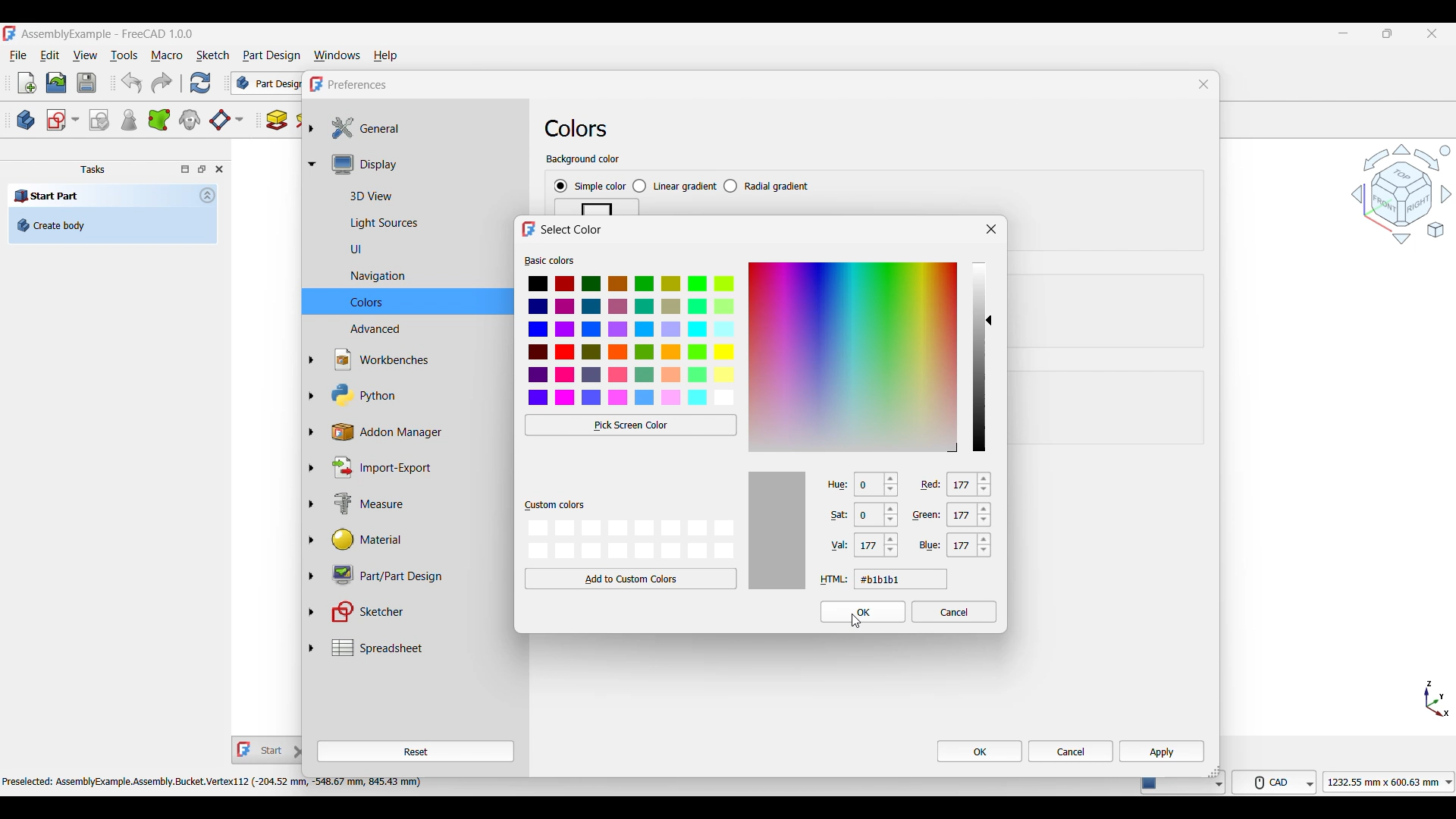 The height and width of the screenshot is (819, 1456). What do you see at coordinates (879, 517) in the screenshot?
I see `0` at bounding box center [879, 517].